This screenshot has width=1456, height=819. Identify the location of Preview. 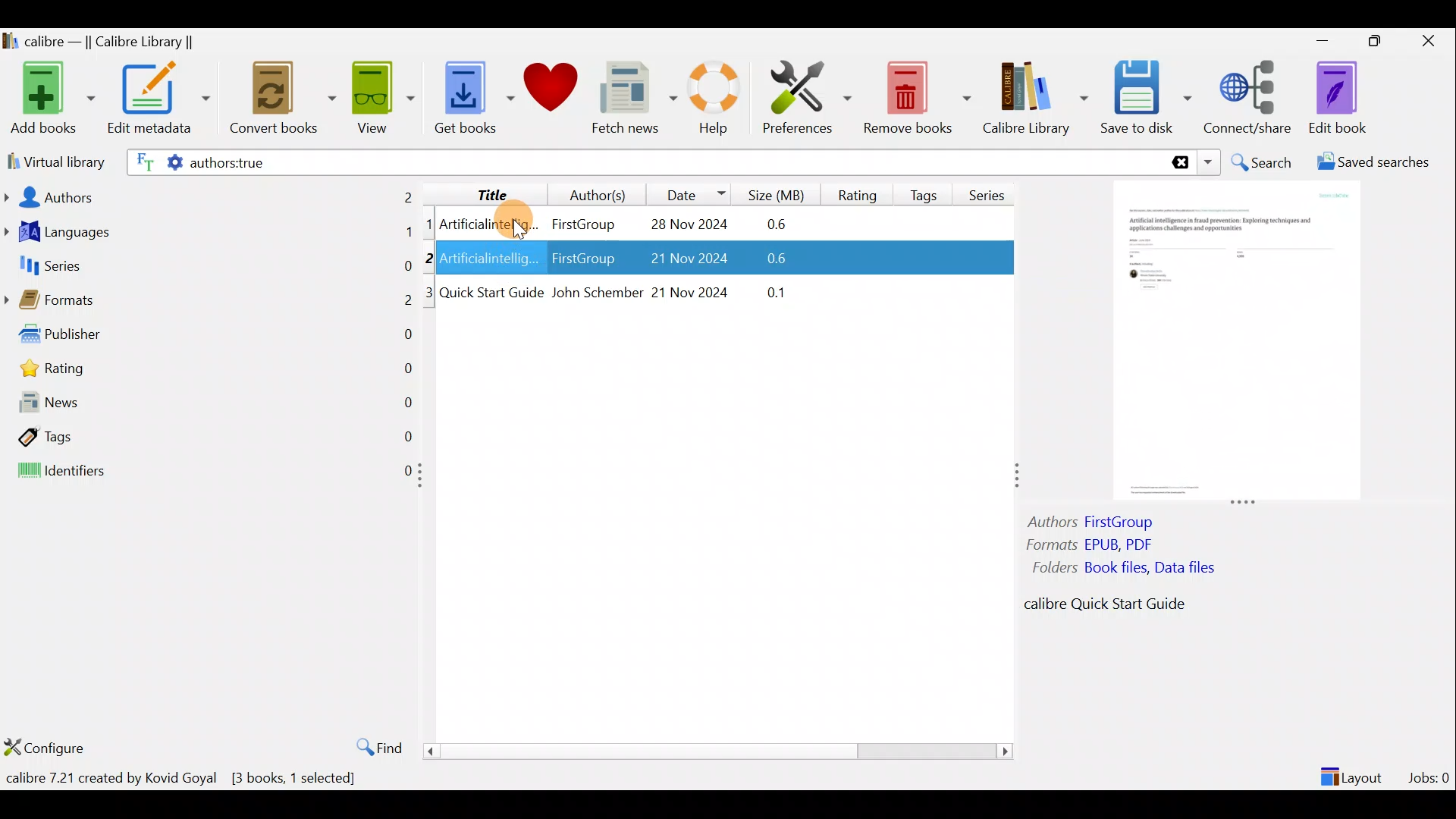
(1232, 343).